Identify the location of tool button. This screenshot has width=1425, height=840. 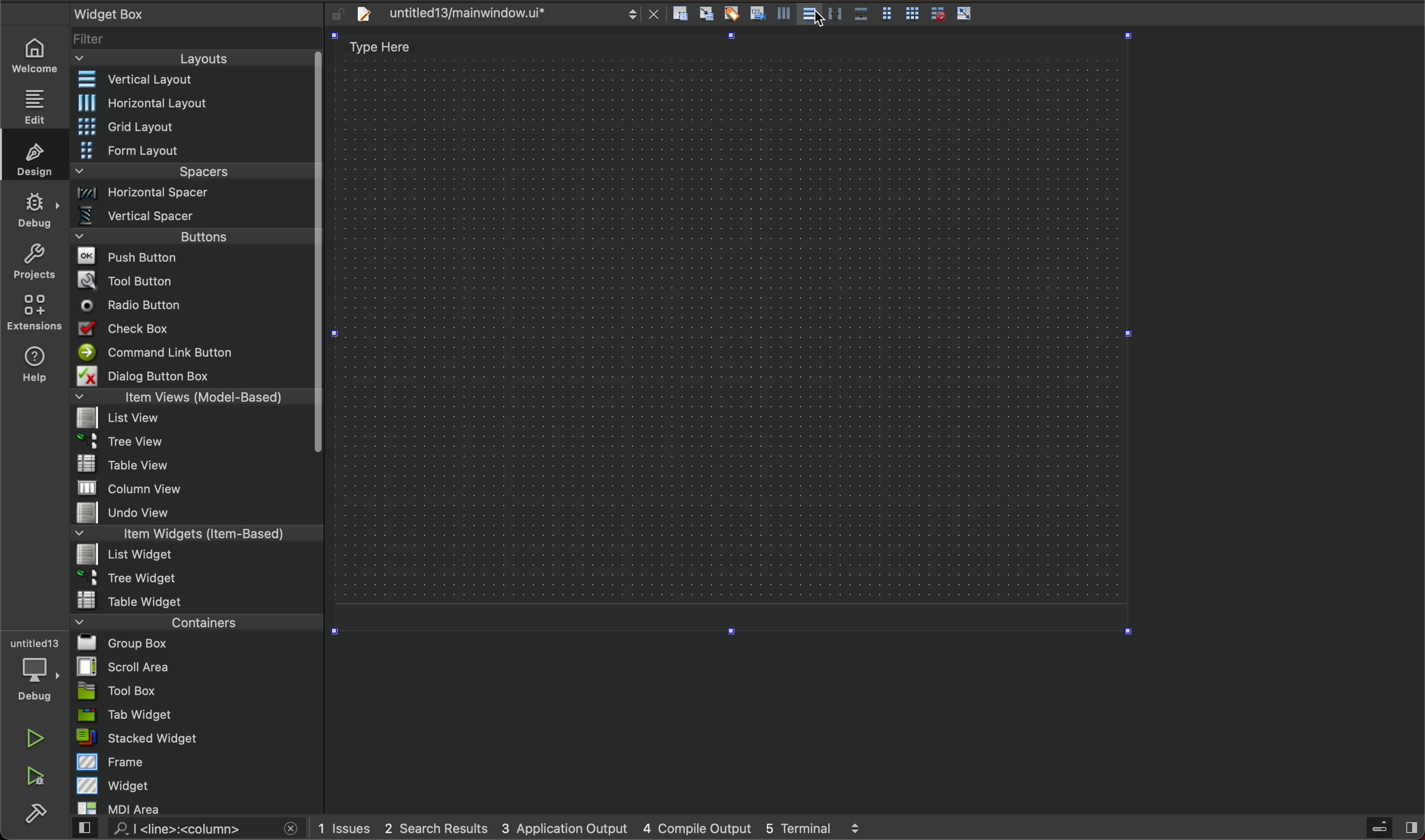
(193, 278).